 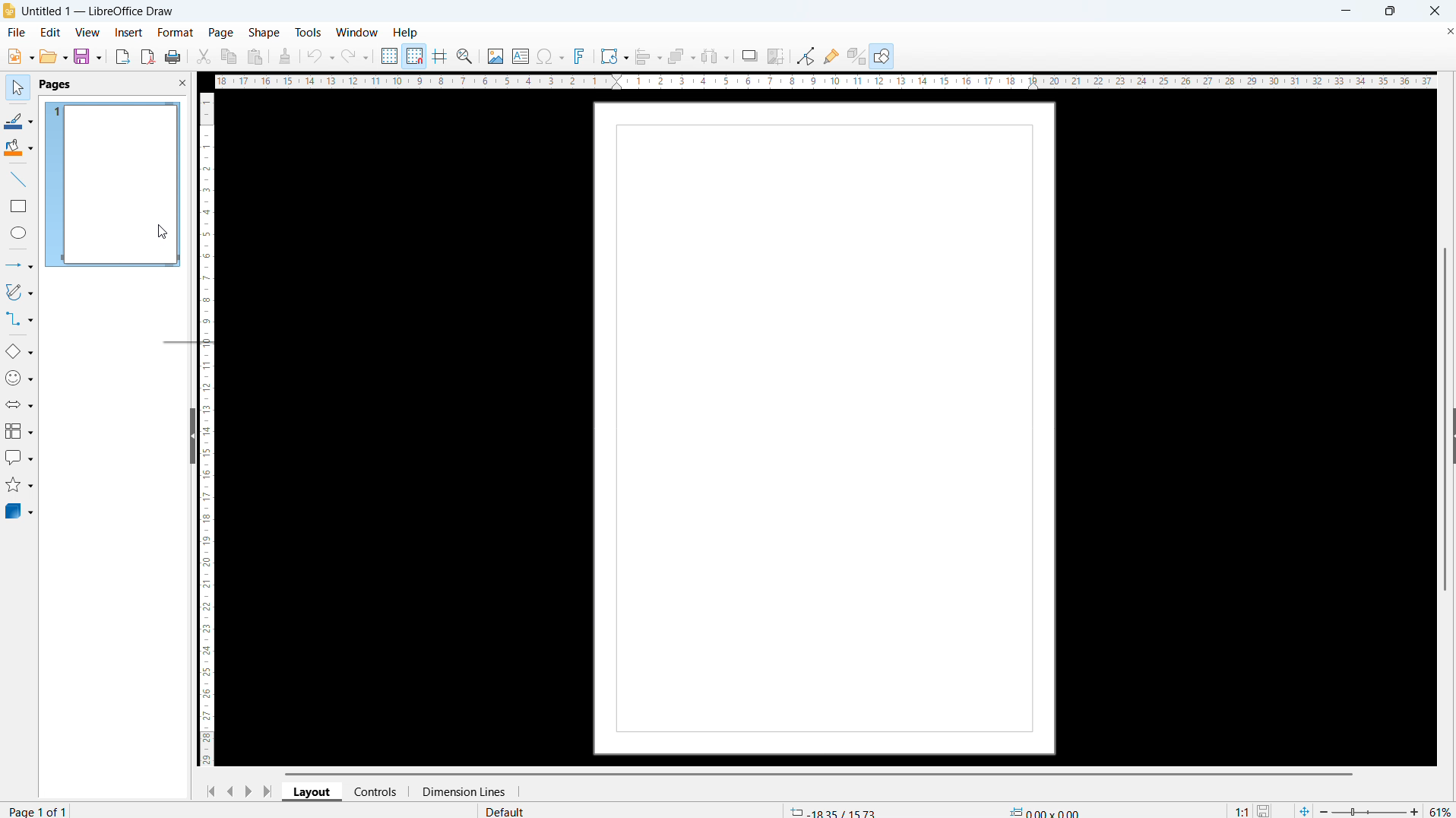 I want to click on zoom slider, so click(x=1369, y=809).